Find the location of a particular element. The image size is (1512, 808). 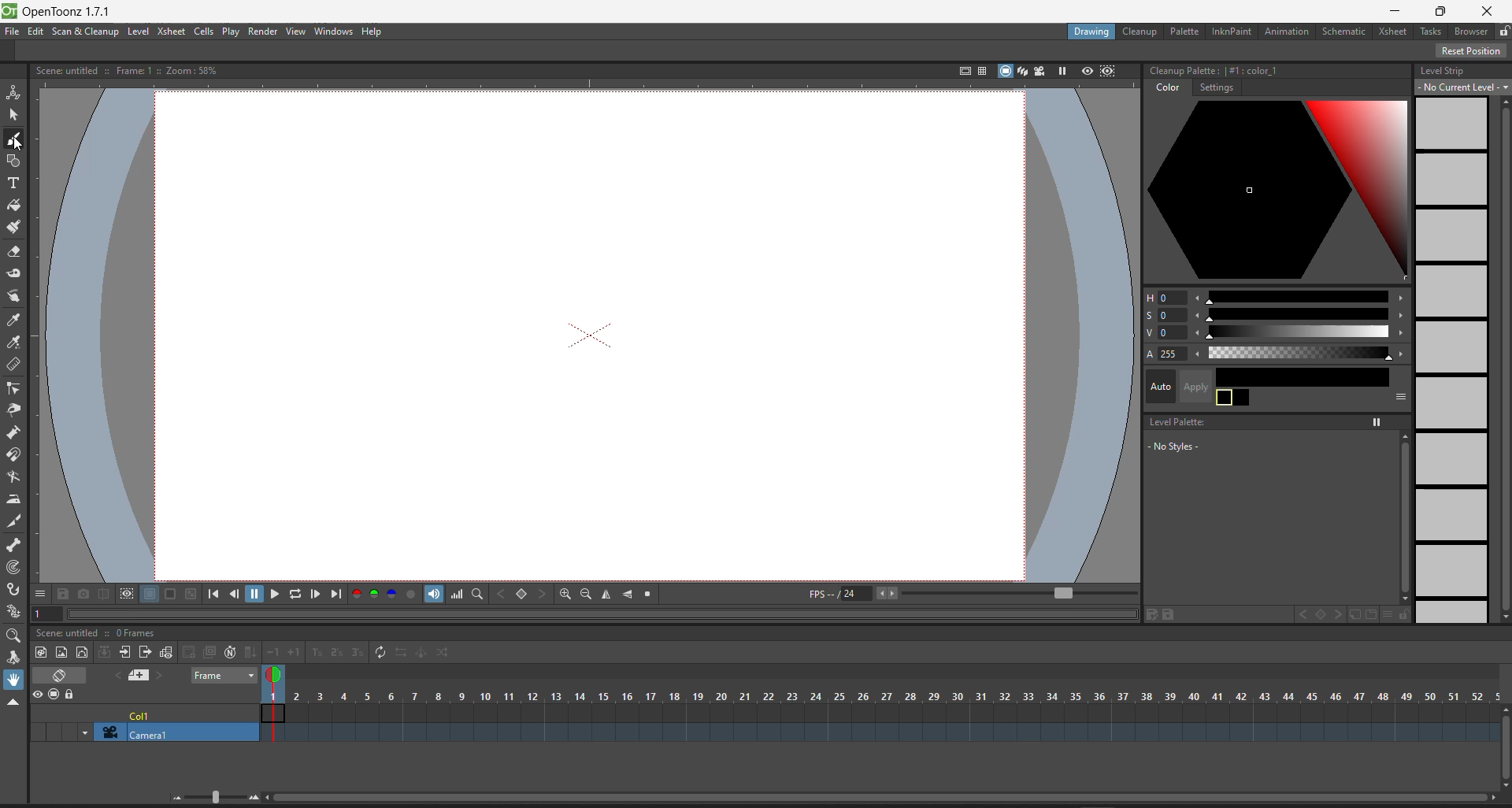

new raster level is located at coordinates (62, 651).